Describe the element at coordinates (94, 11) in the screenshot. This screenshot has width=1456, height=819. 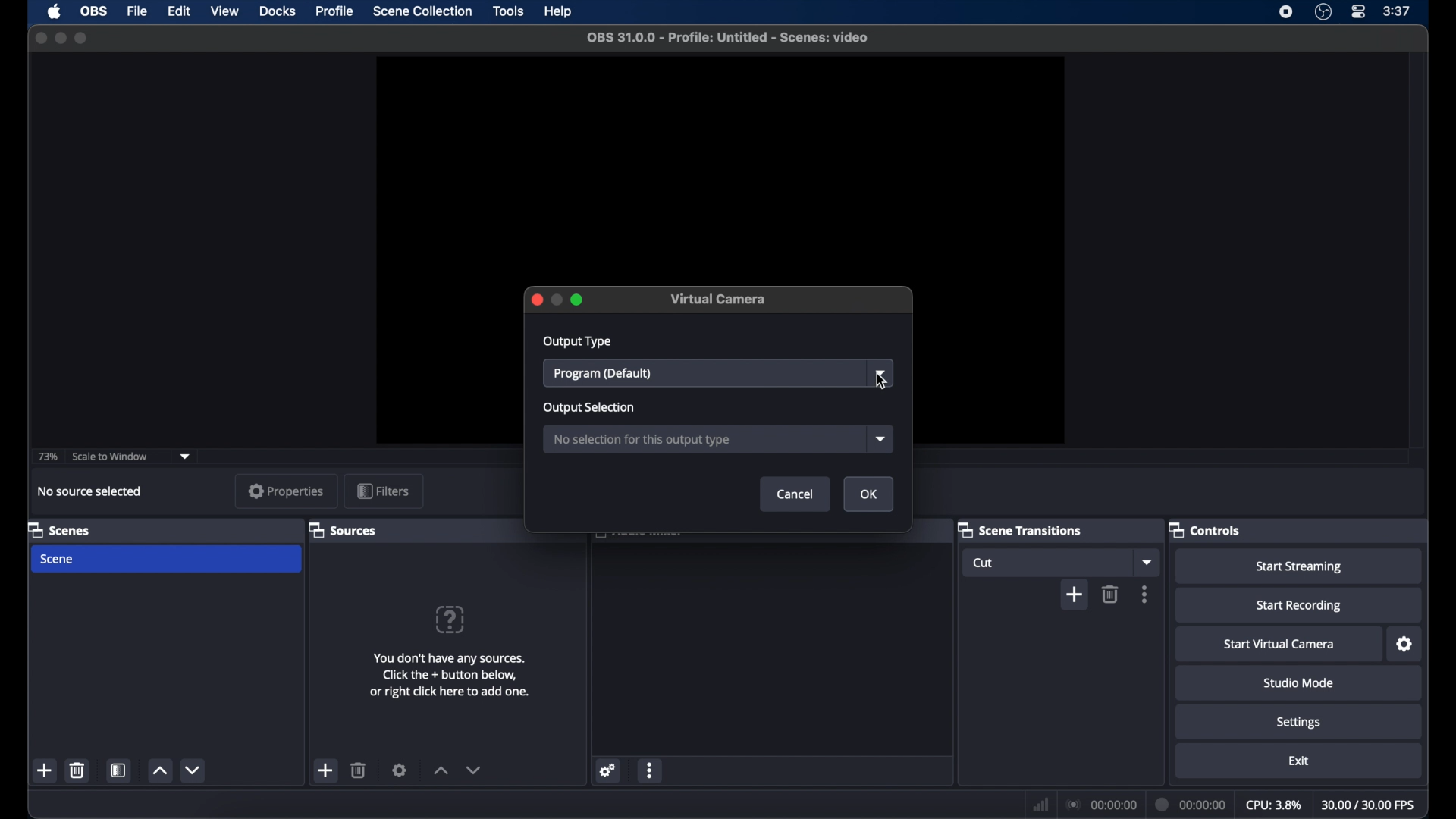
I see `obs` at that location.